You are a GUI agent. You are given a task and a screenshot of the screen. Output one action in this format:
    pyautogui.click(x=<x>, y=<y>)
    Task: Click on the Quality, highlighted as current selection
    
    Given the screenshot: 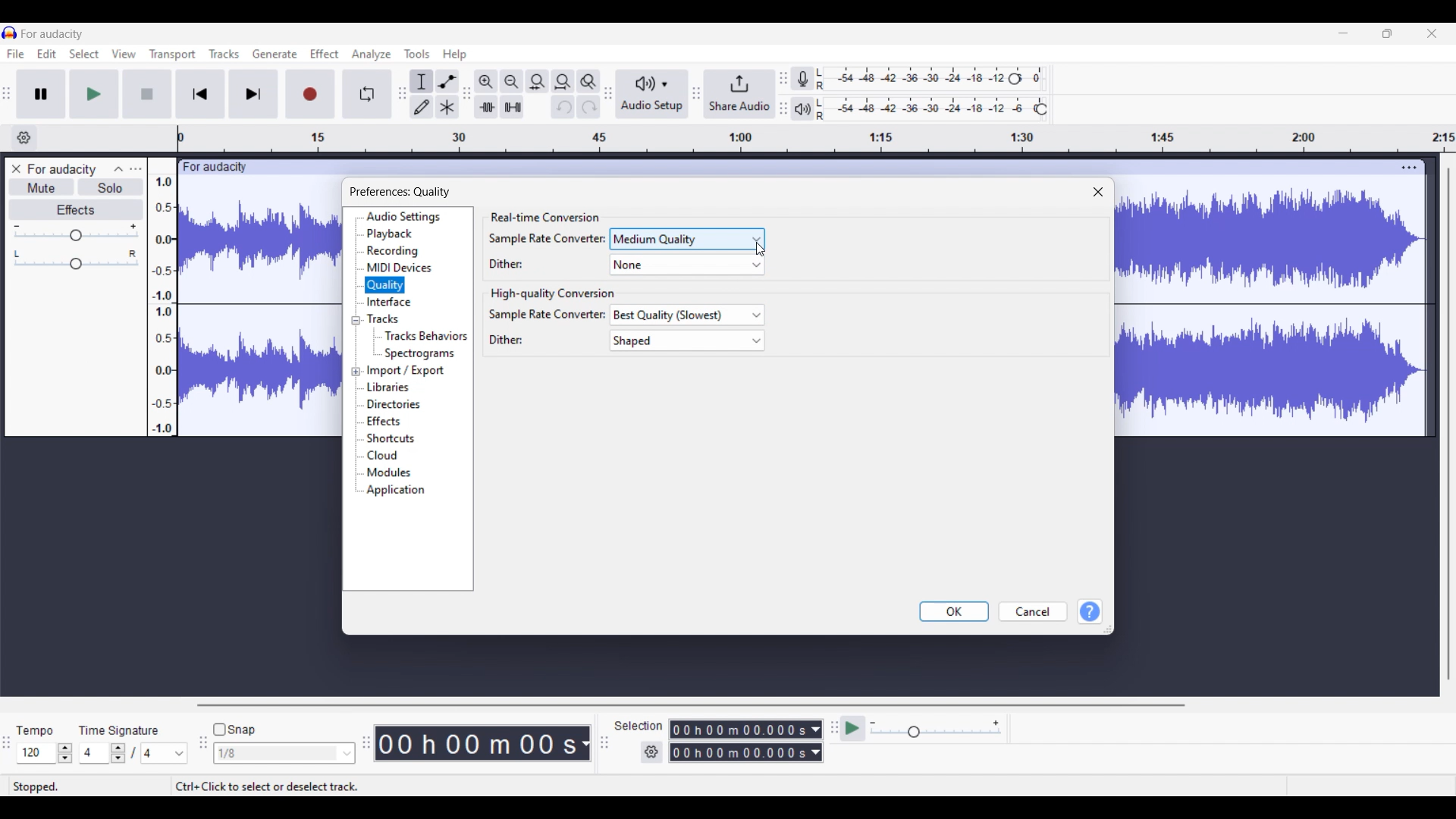 What is the action you would take?
    pyautogui.click(x=385, y=285)
    